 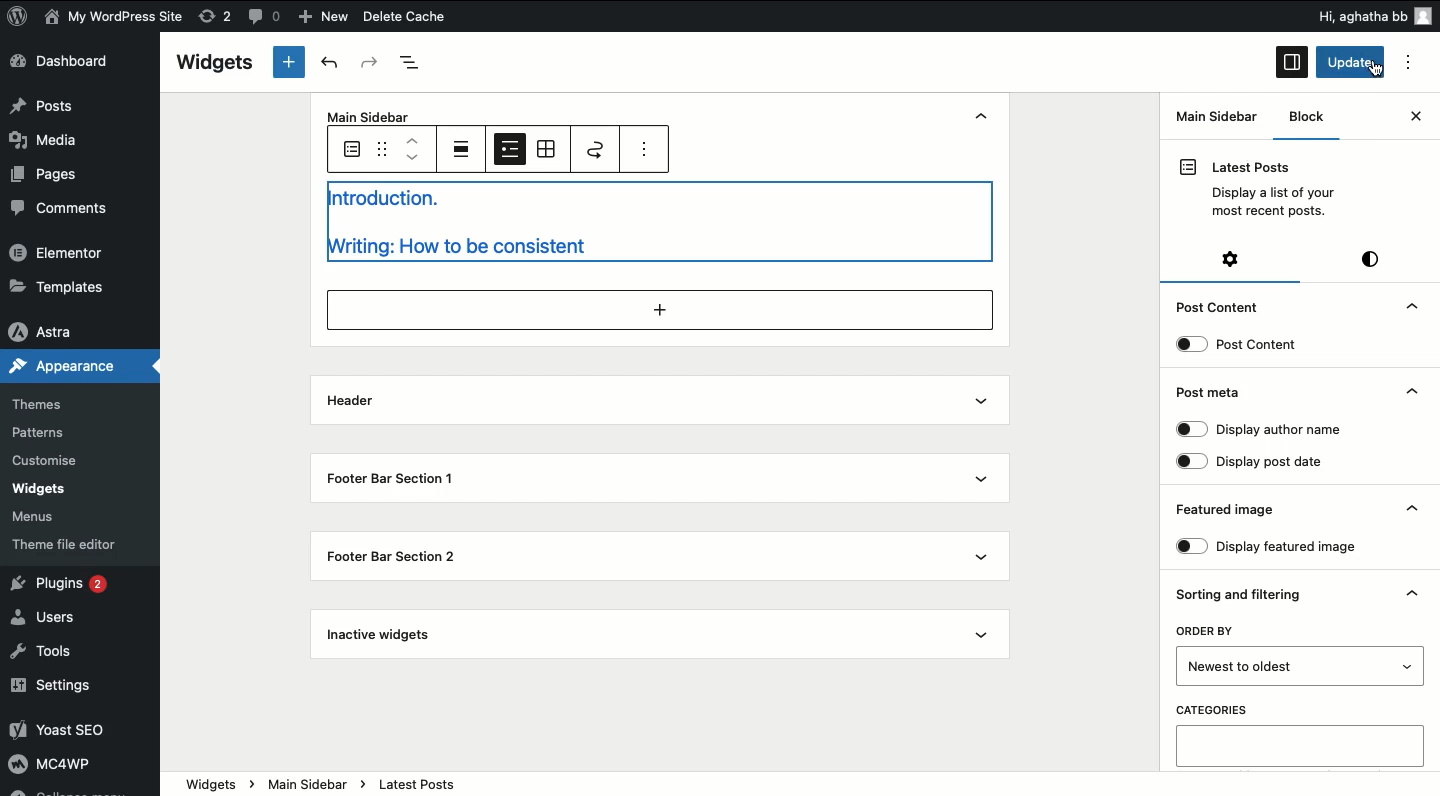 I want to click on Display author name, so click(x=1264, y=429).